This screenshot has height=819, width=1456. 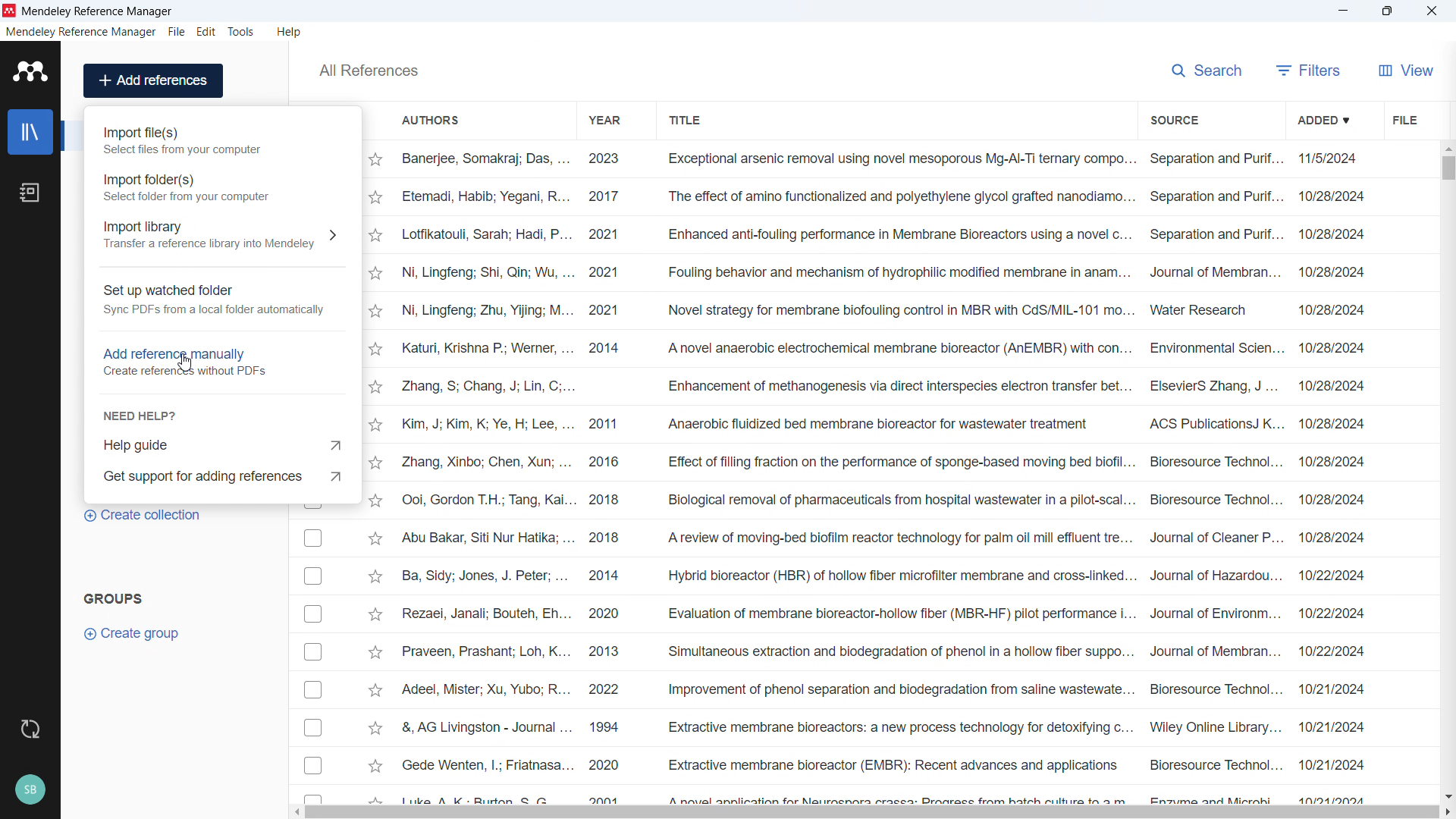 I want to click on Source of individual entries , so click(x=1214, y=475).